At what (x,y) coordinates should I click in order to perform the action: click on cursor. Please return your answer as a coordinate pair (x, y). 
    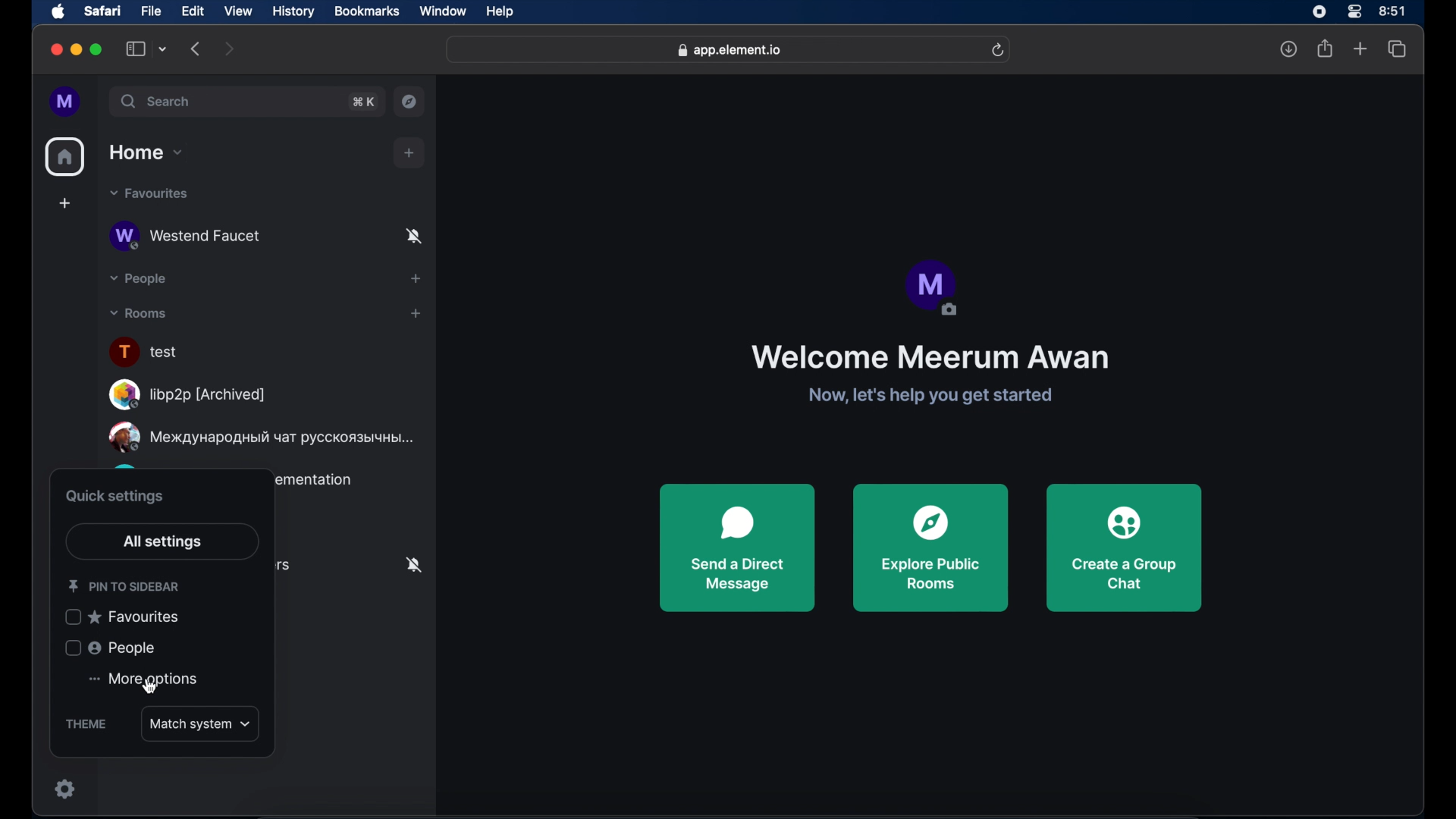
    Looking at the image, I should click on (143, 686).